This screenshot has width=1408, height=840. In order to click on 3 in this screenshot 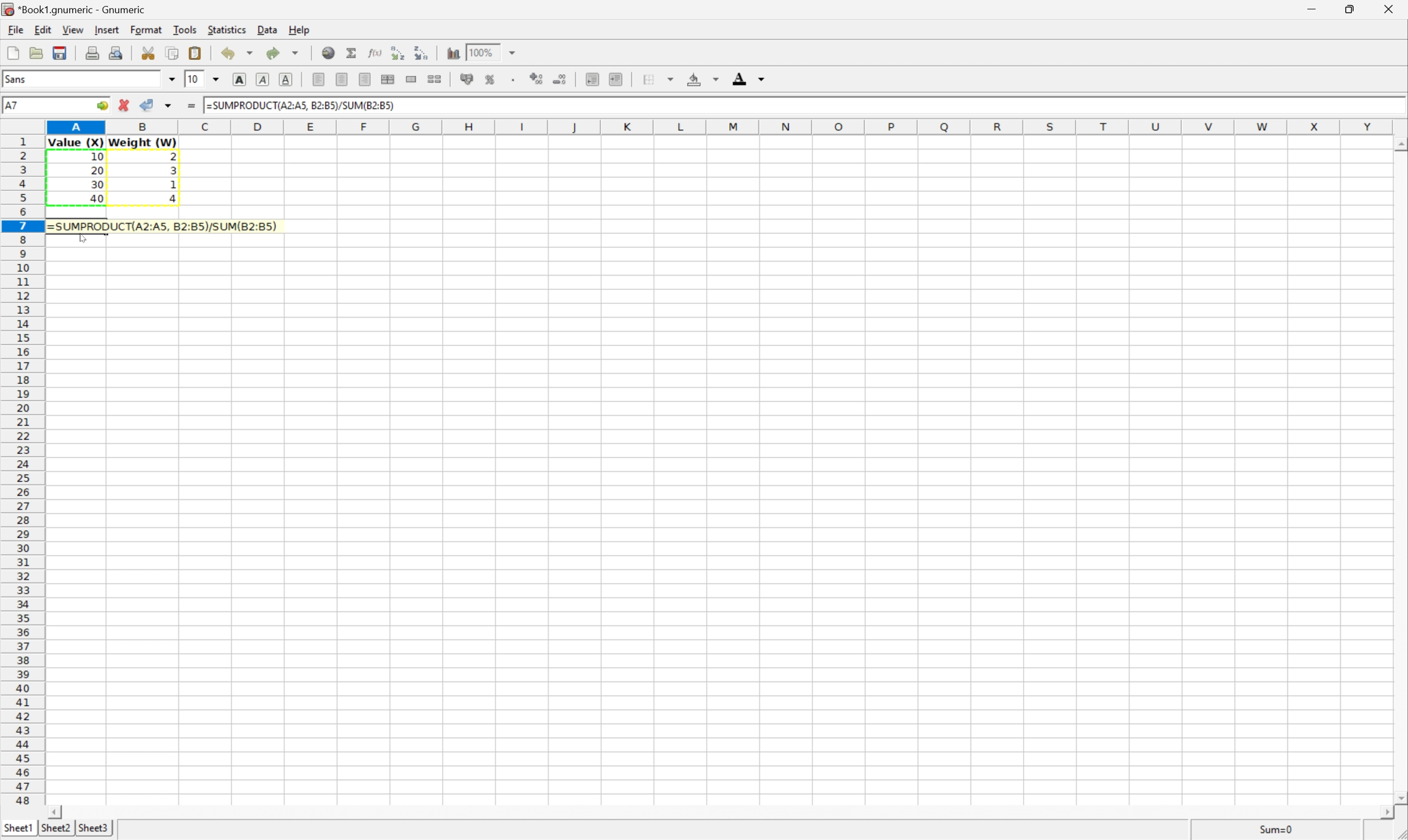, I will do `click(172, 173)`.